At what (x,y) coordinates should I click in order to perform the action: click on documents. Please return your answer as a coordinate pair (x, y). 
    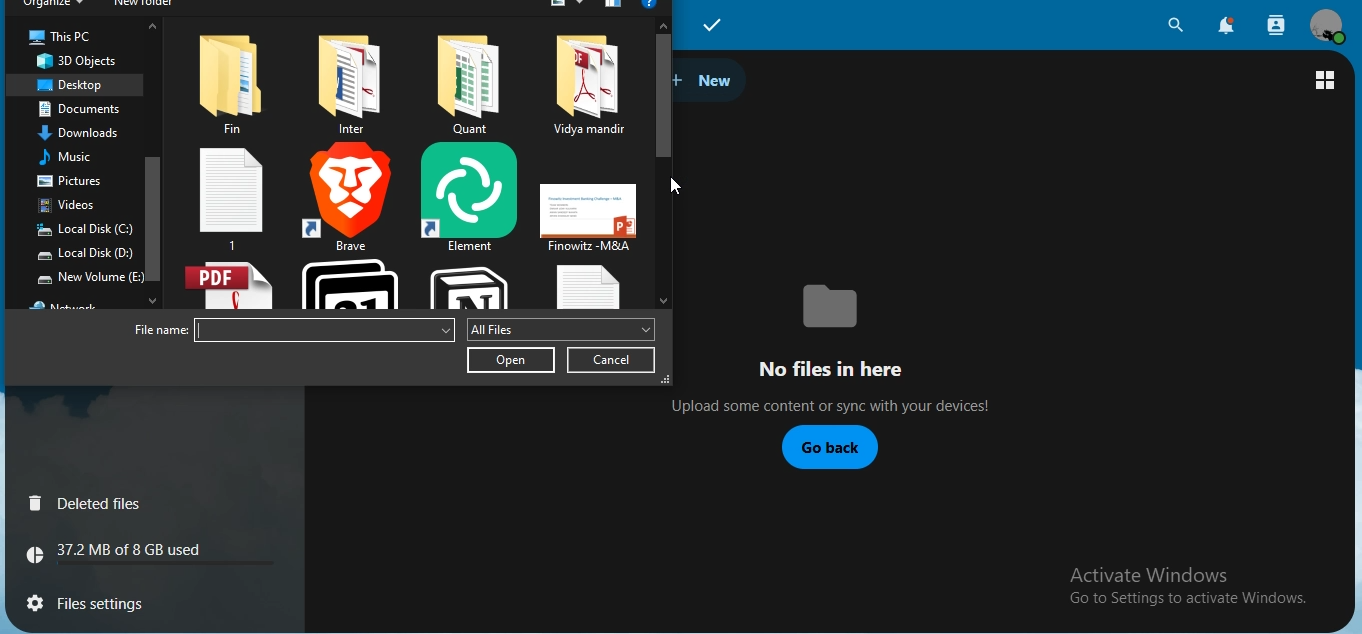
    Looking at the image, I should click on (89, 110).